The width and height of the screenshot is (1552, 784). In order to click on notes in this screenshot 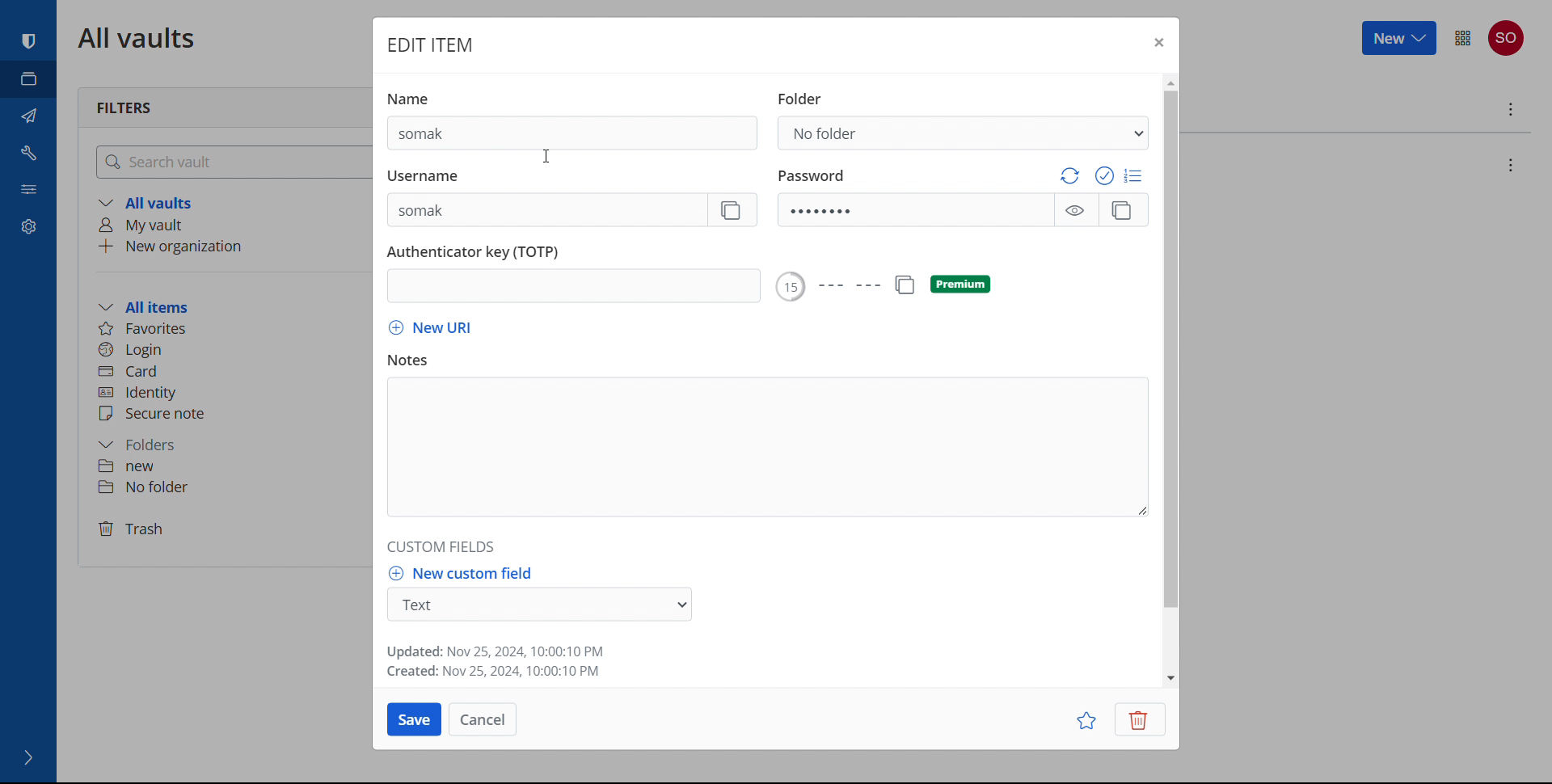, I will do `click(766, 447)`.